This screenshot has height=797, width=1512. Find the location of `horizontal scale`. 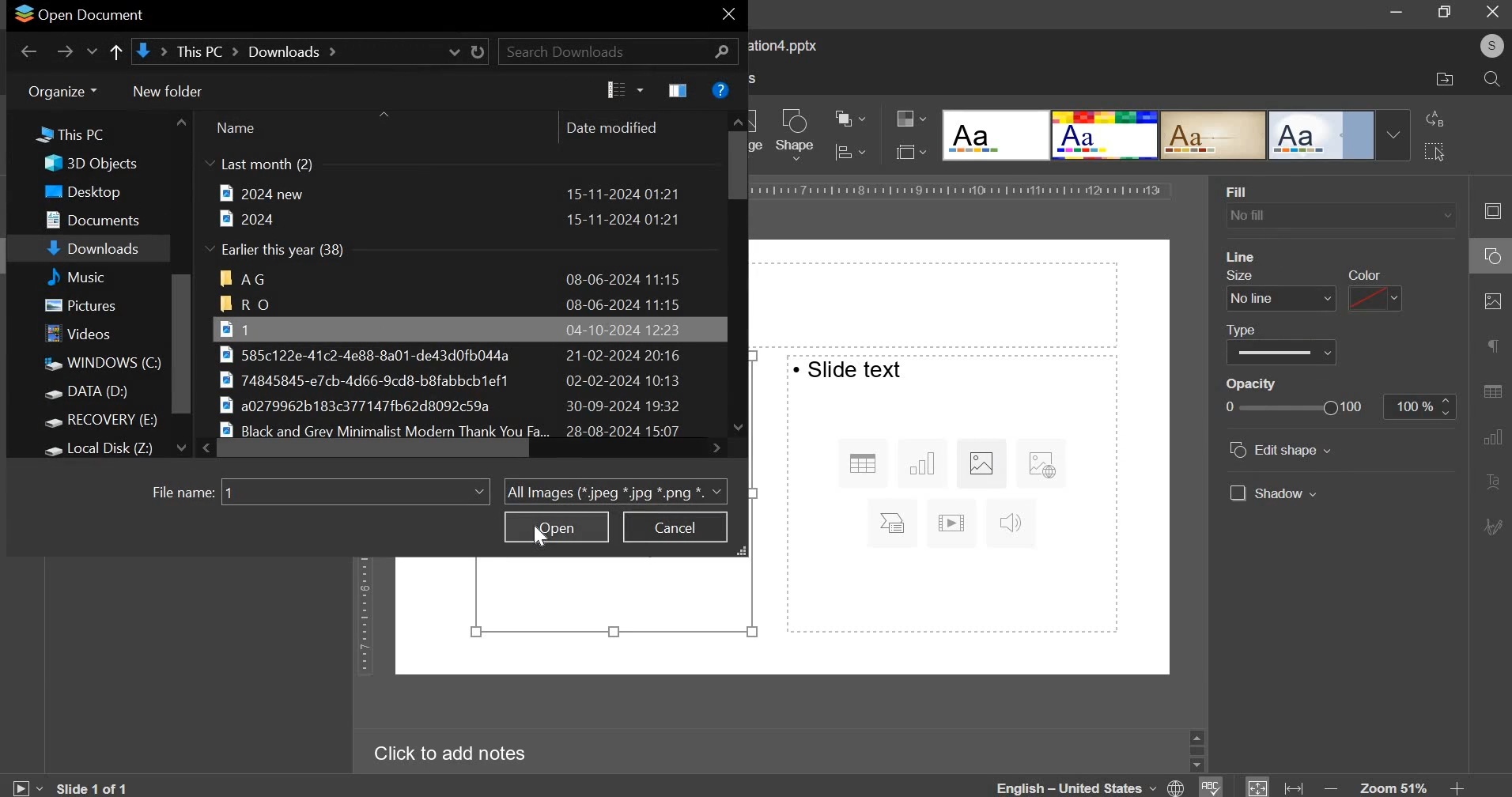

horizontal scale is located at coordinates (964, 191).